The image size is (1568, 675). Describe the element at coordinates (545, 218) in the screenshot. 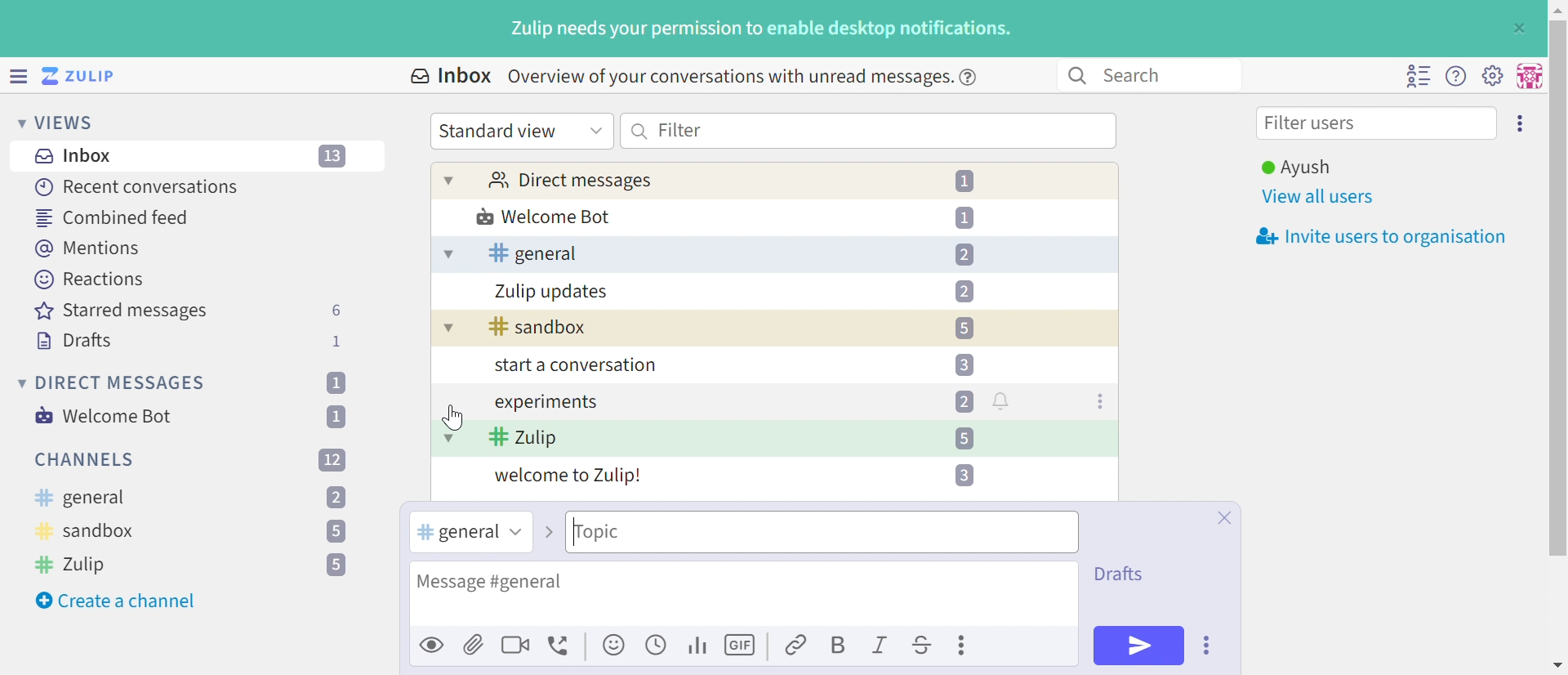

I see `Welcome Bot` at that location.